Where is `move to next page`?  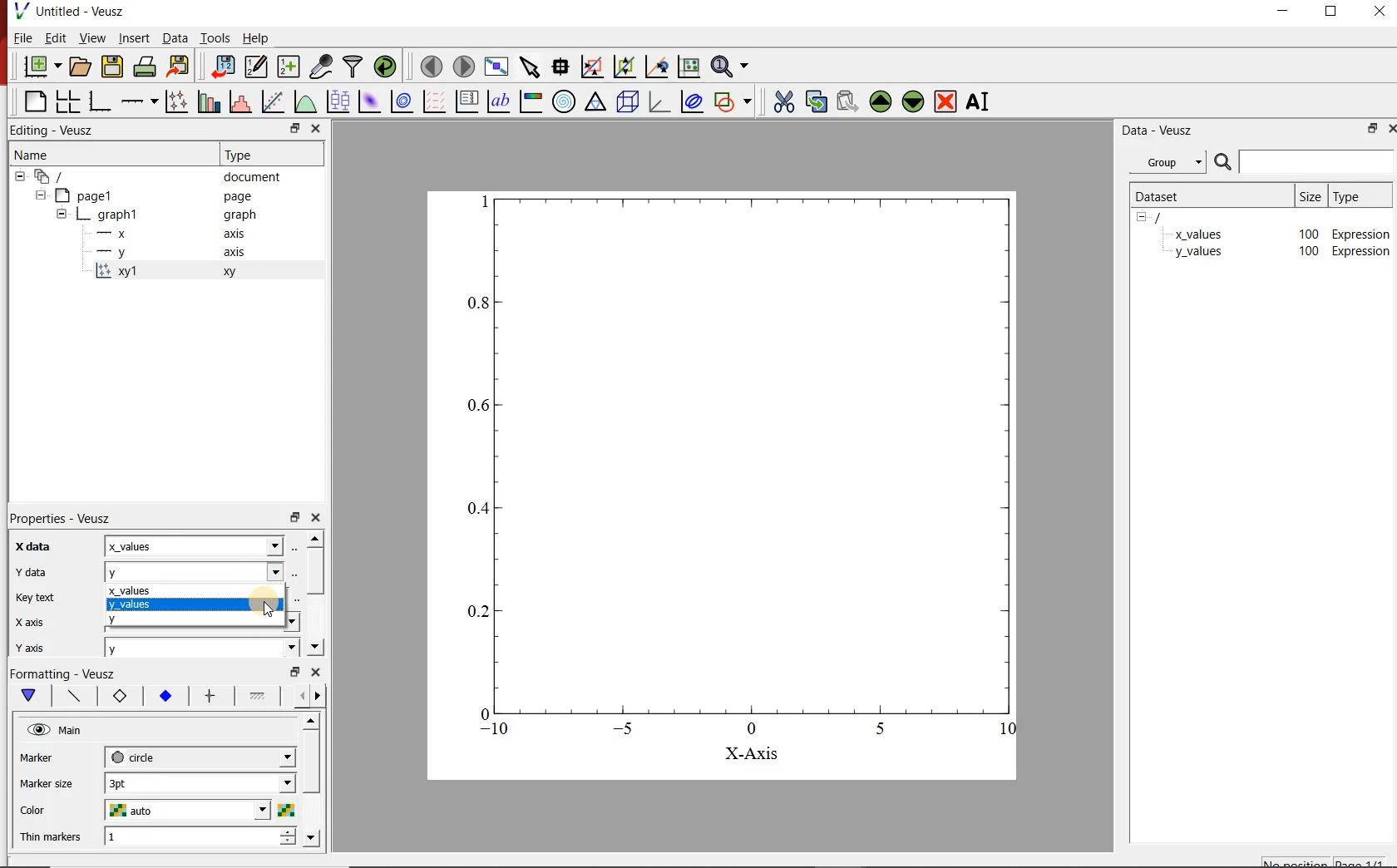
move to next page is located at coordinates (465, 67).